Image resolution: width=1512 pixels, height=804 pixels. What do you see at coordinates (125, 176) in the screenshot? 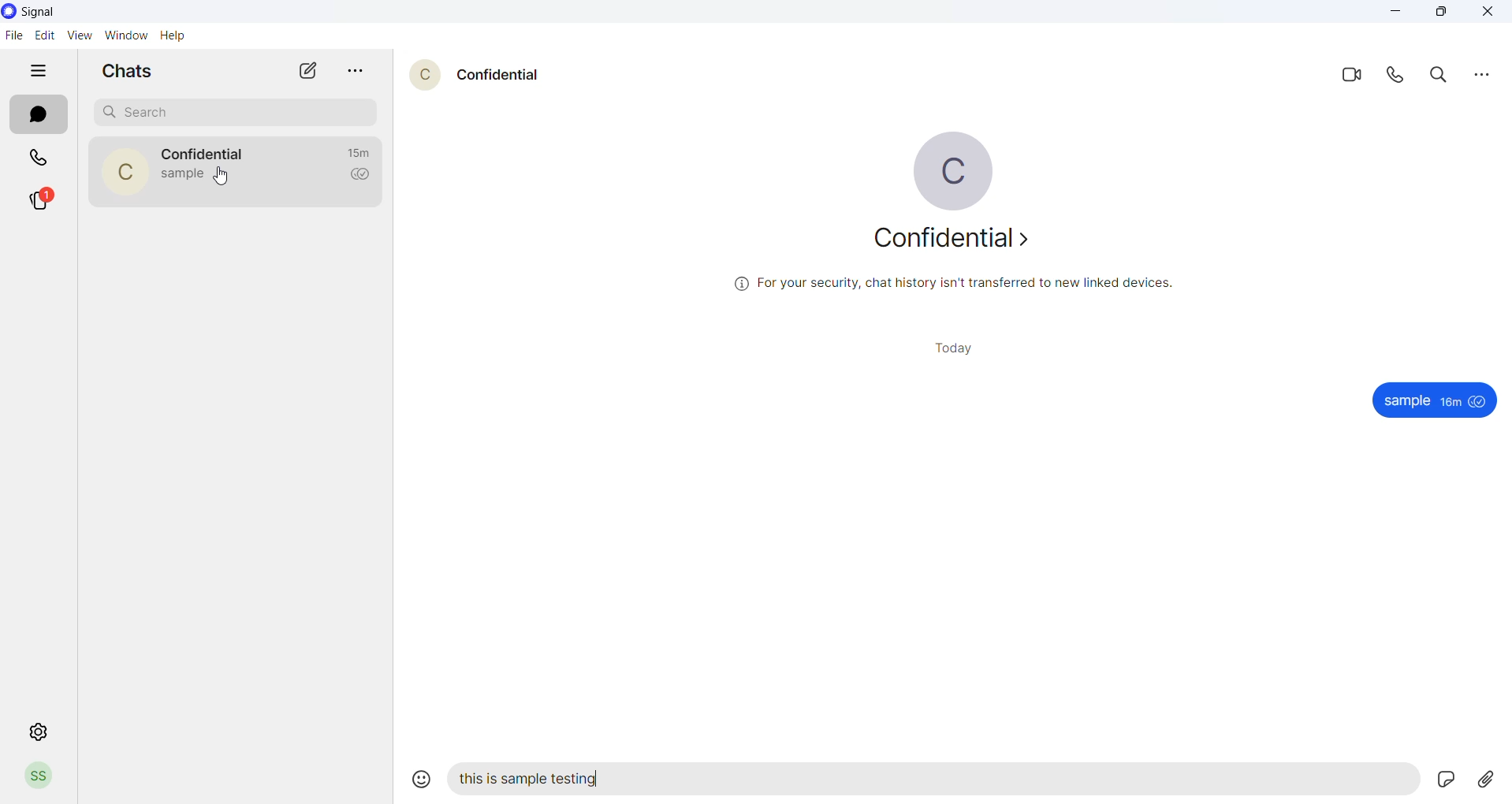
I see `C` at bounding box center [125, 176].